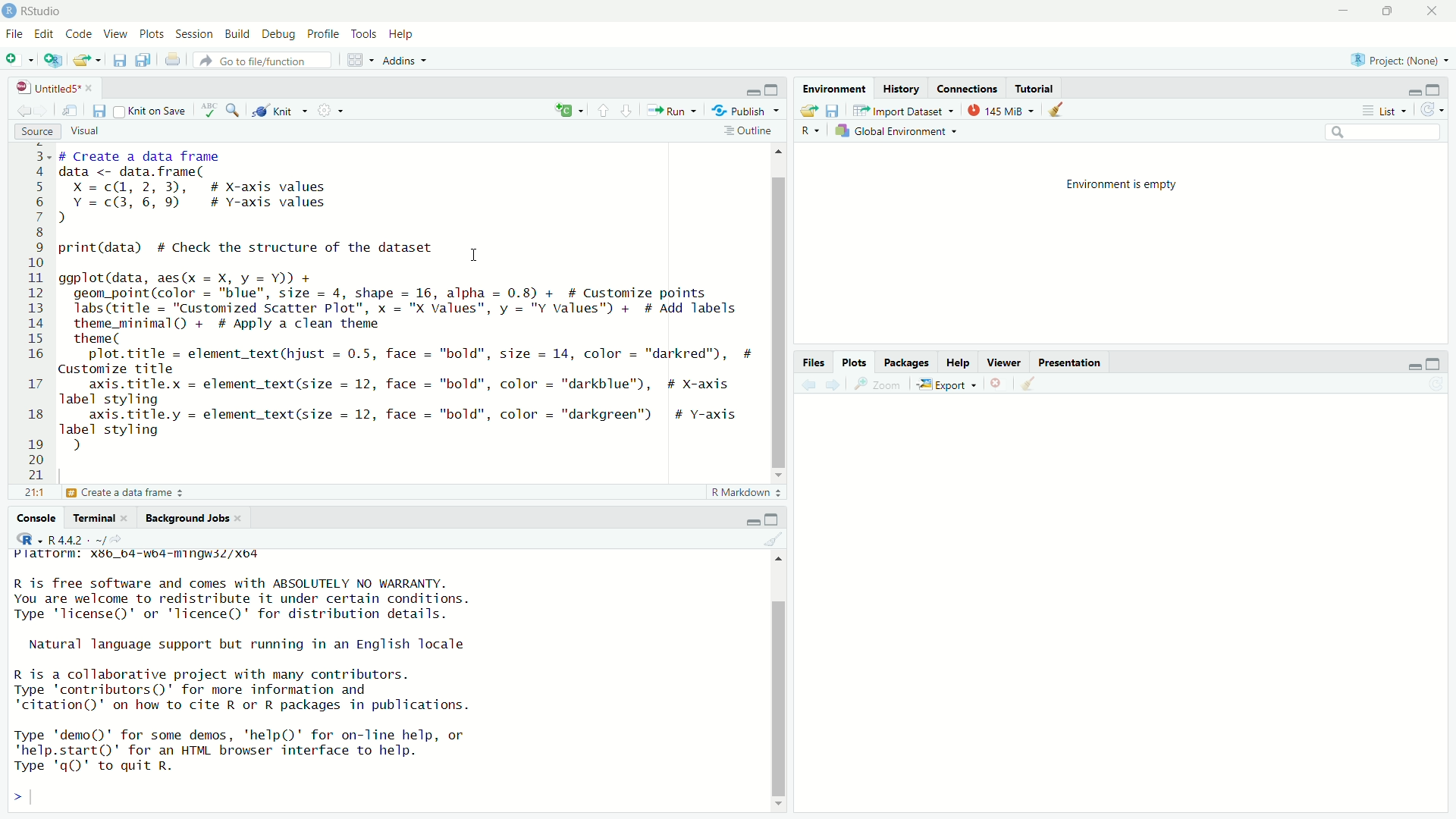 The height and width of the screenshot is (819, 1456). Describe the element at coordinates (968, 90) in the screenshot. I see `Connections` at that location.